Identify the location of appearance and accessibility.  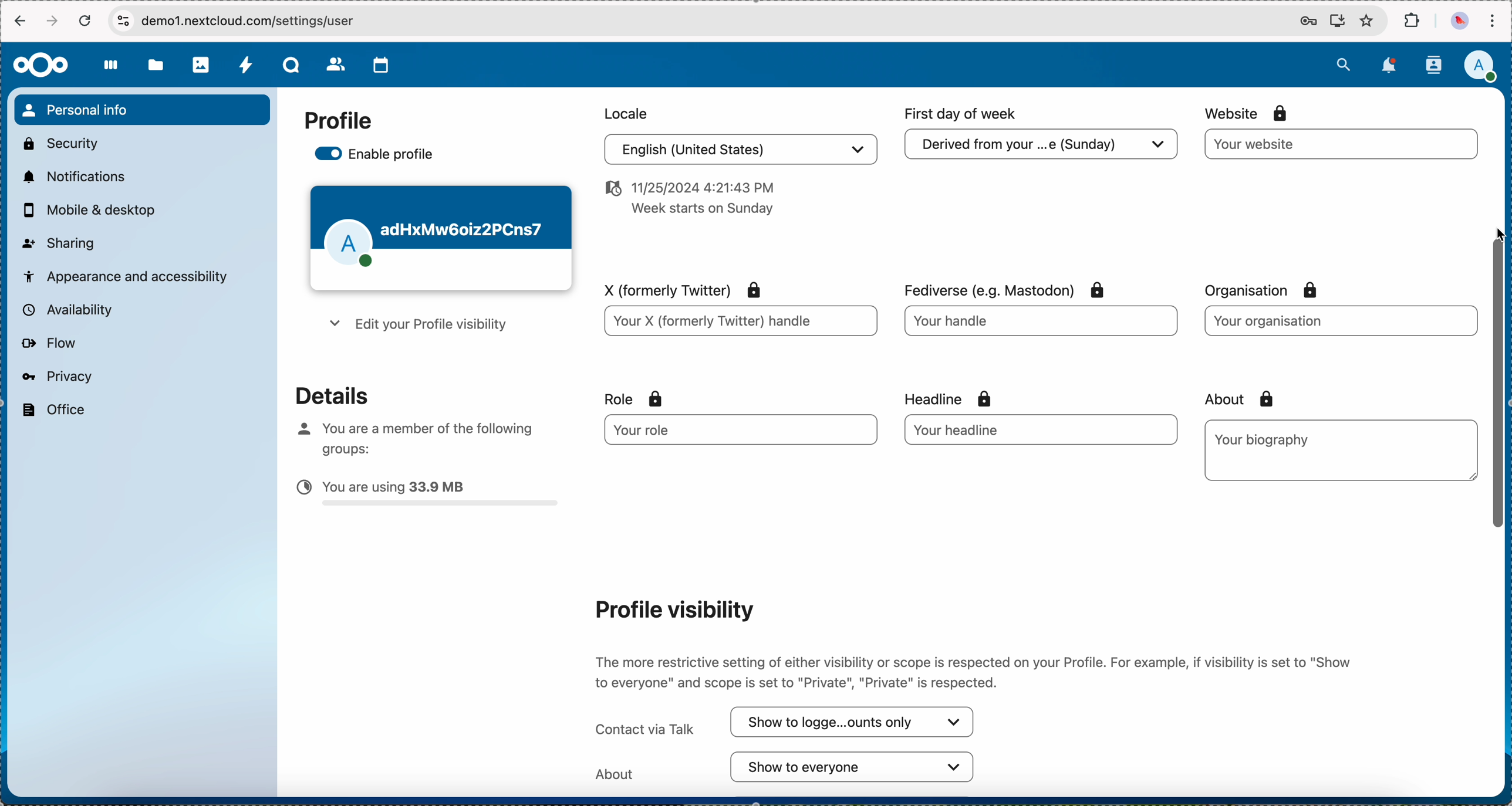
(127, 275).